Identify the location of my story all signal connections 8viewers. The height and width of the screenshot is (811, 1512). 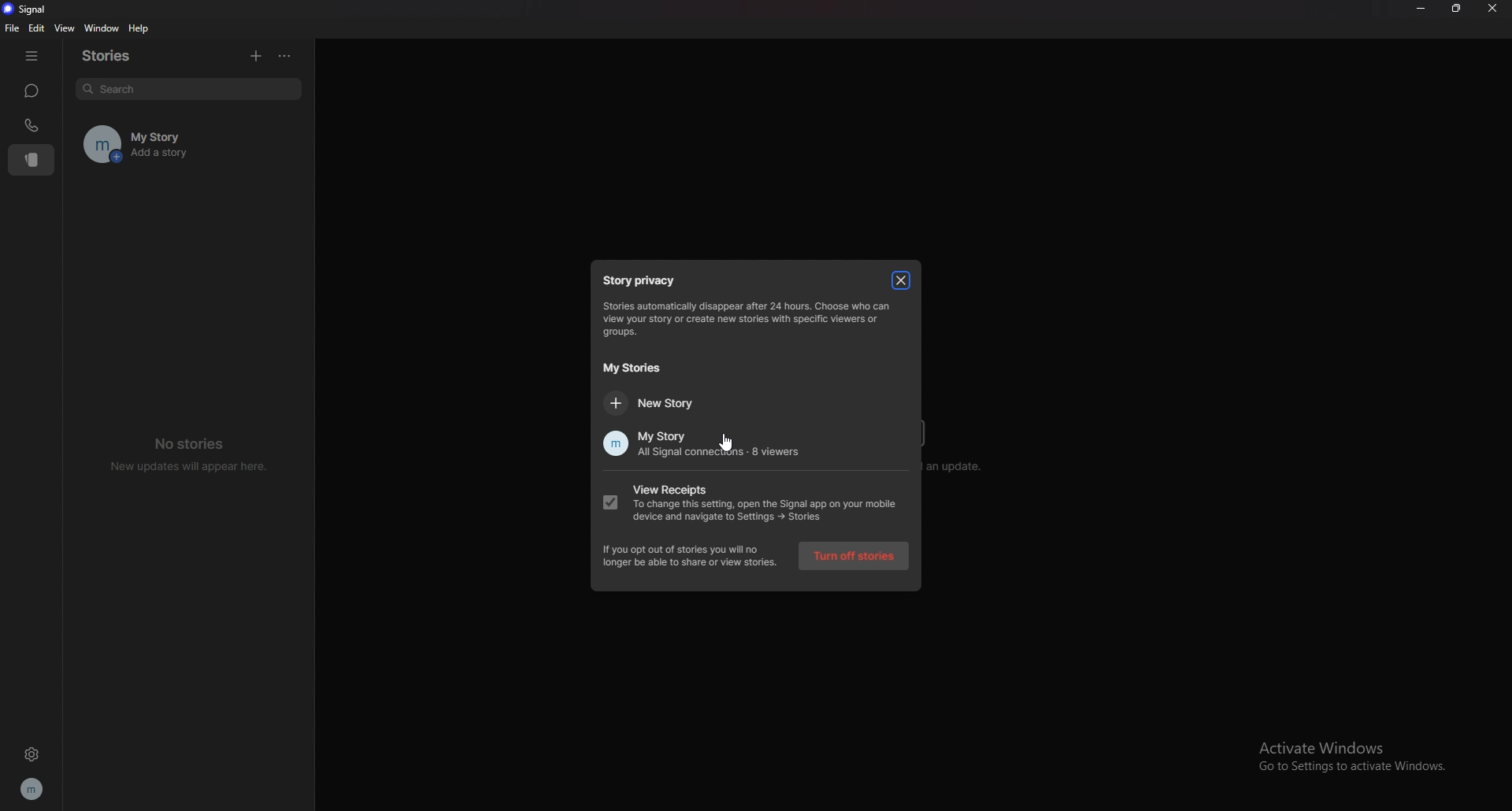
(710, 443).